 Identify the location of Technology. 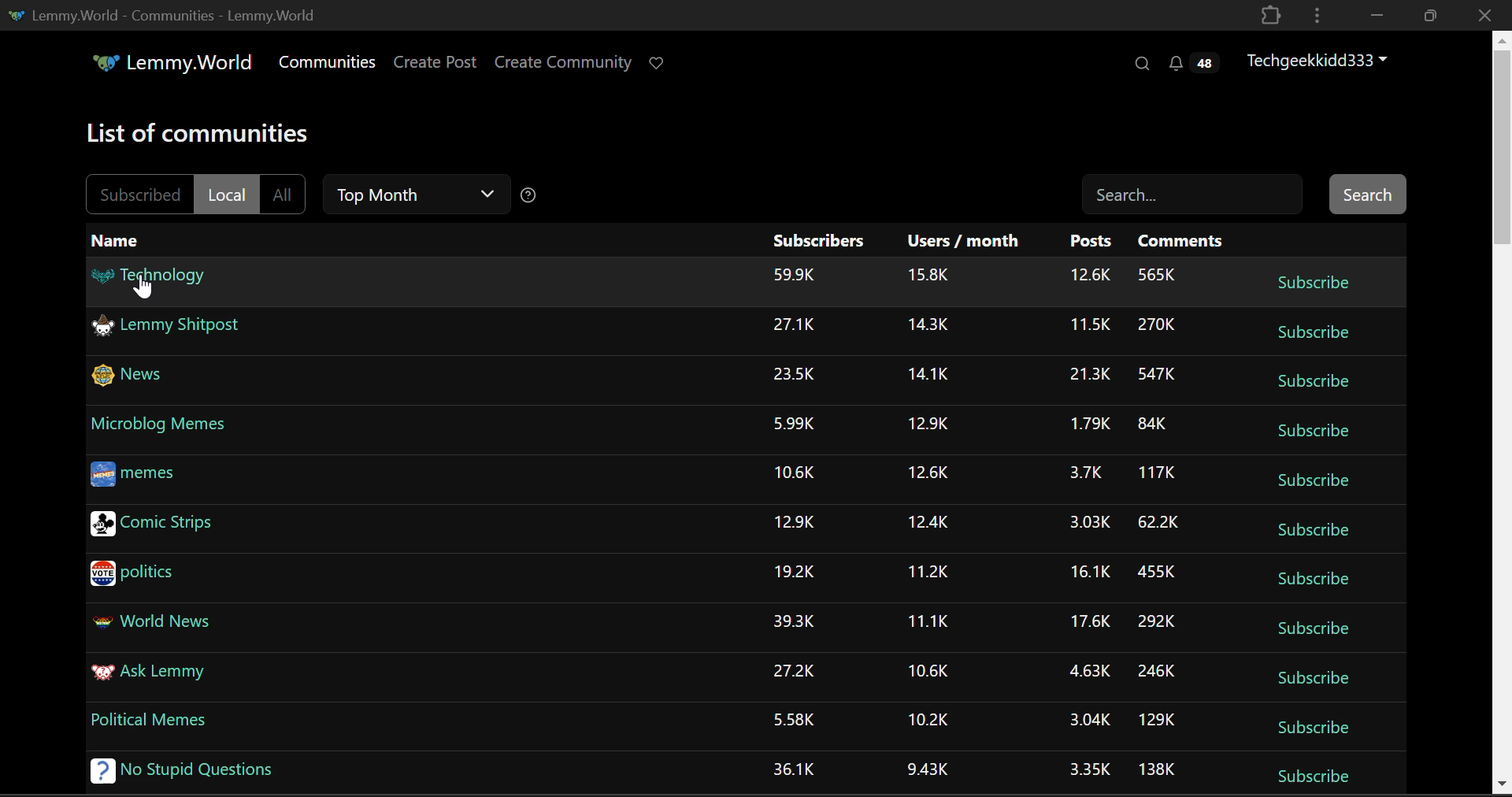
(161, 281).